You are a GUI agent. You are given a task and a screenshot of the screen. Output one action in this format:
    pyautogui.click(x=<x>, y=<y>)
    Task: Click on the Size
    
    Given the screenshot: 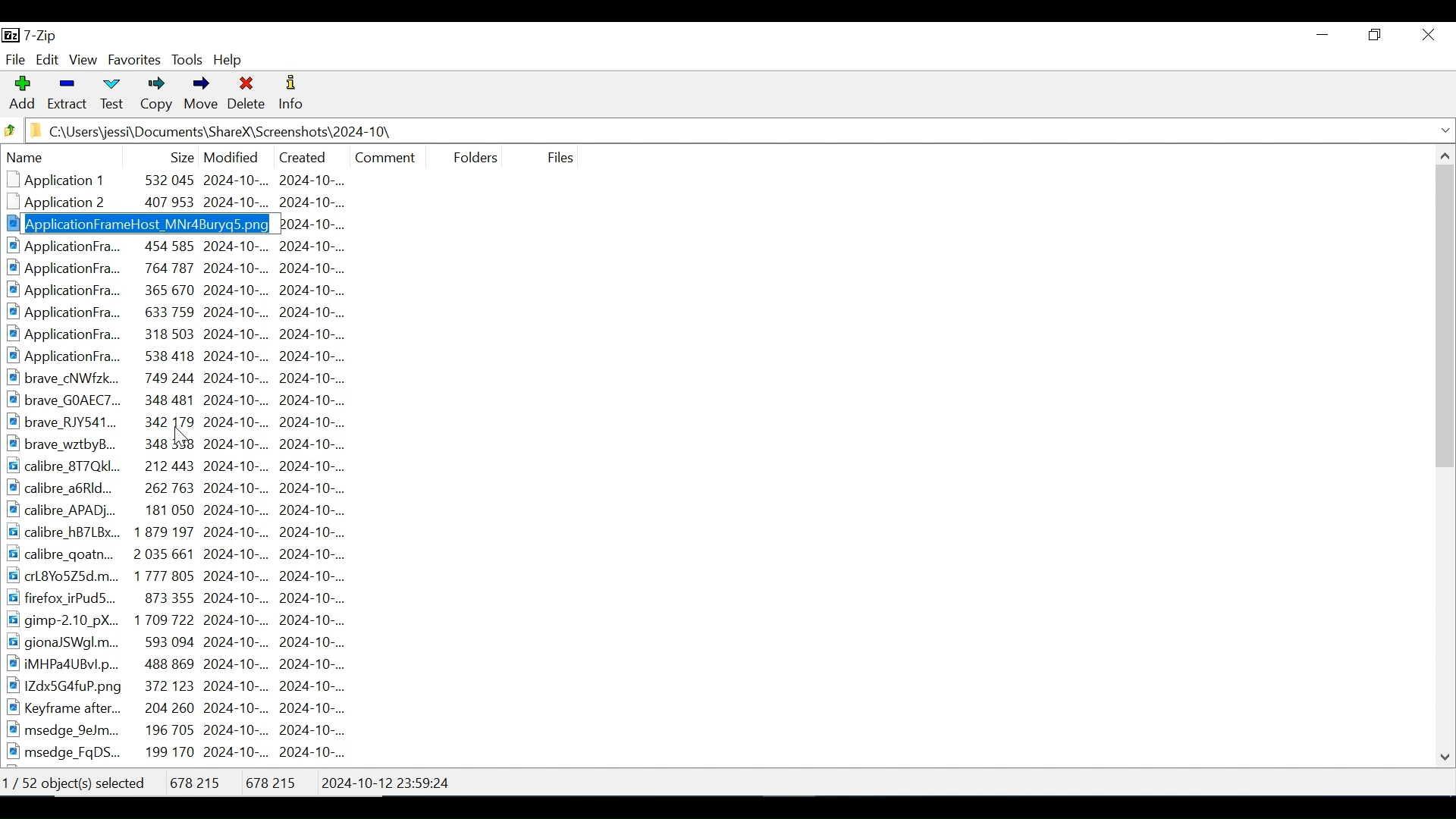 What is the action you would take?
    pyautogui.click(x=178, y=155)
    